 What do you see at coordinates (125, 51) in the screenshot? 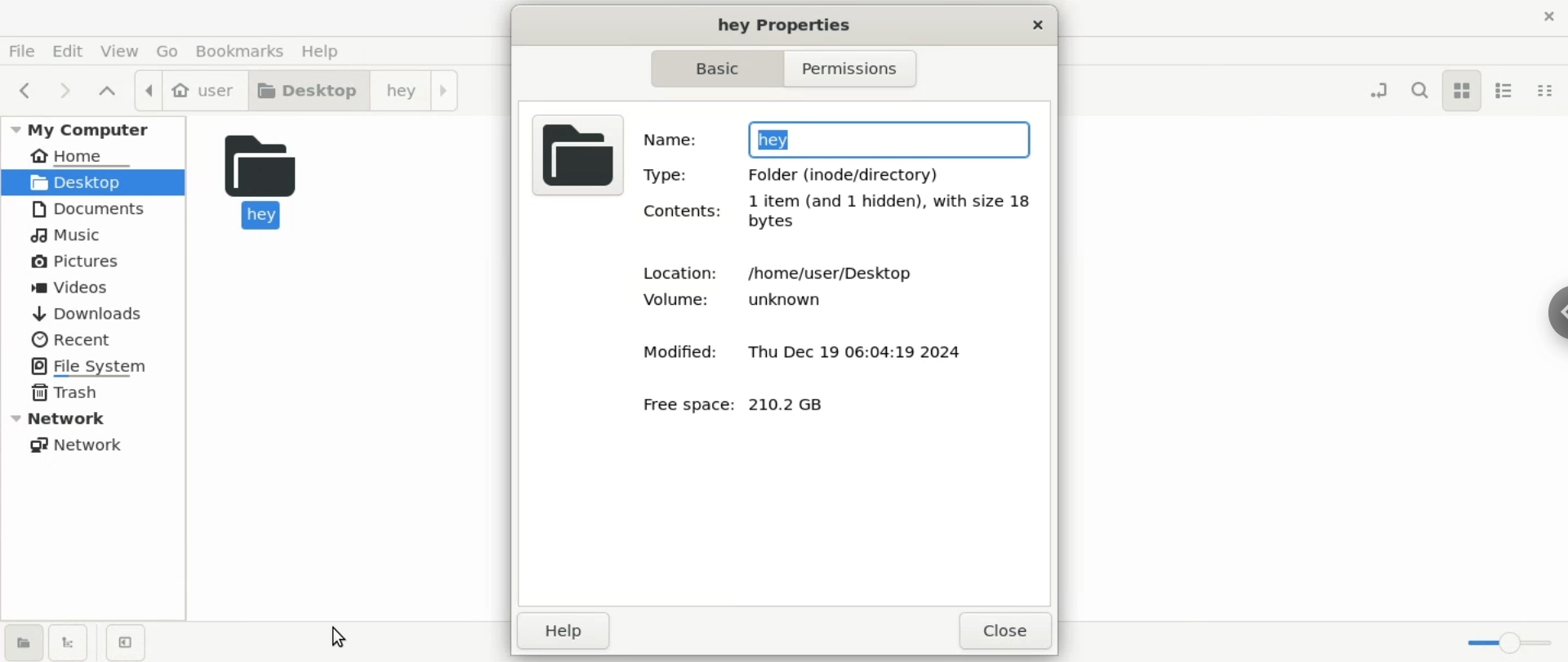
I see `view` at bounding box center [125, 51].